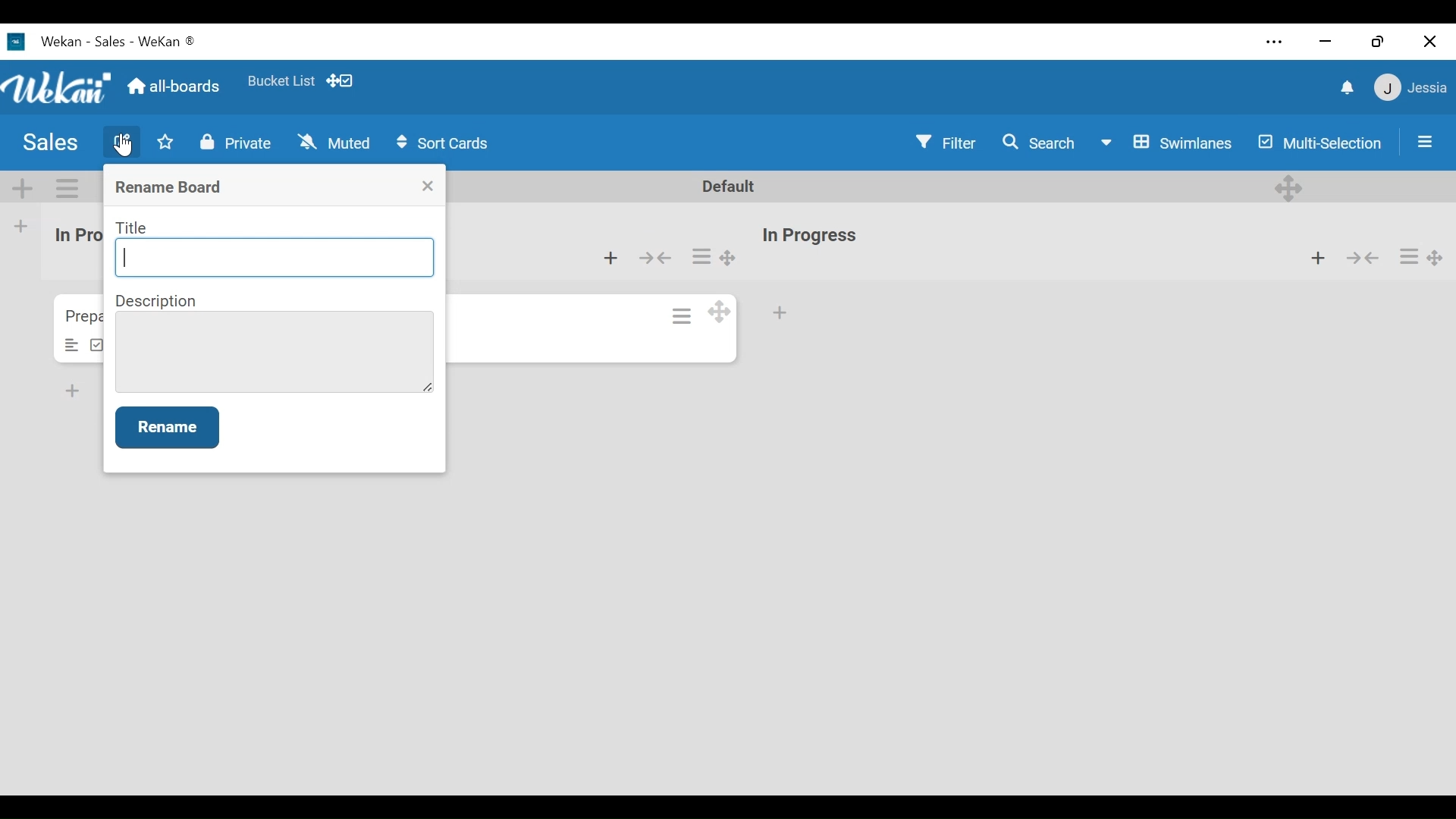 The image size is (1456, 819). I want to click on Rename, so click(167, 427).